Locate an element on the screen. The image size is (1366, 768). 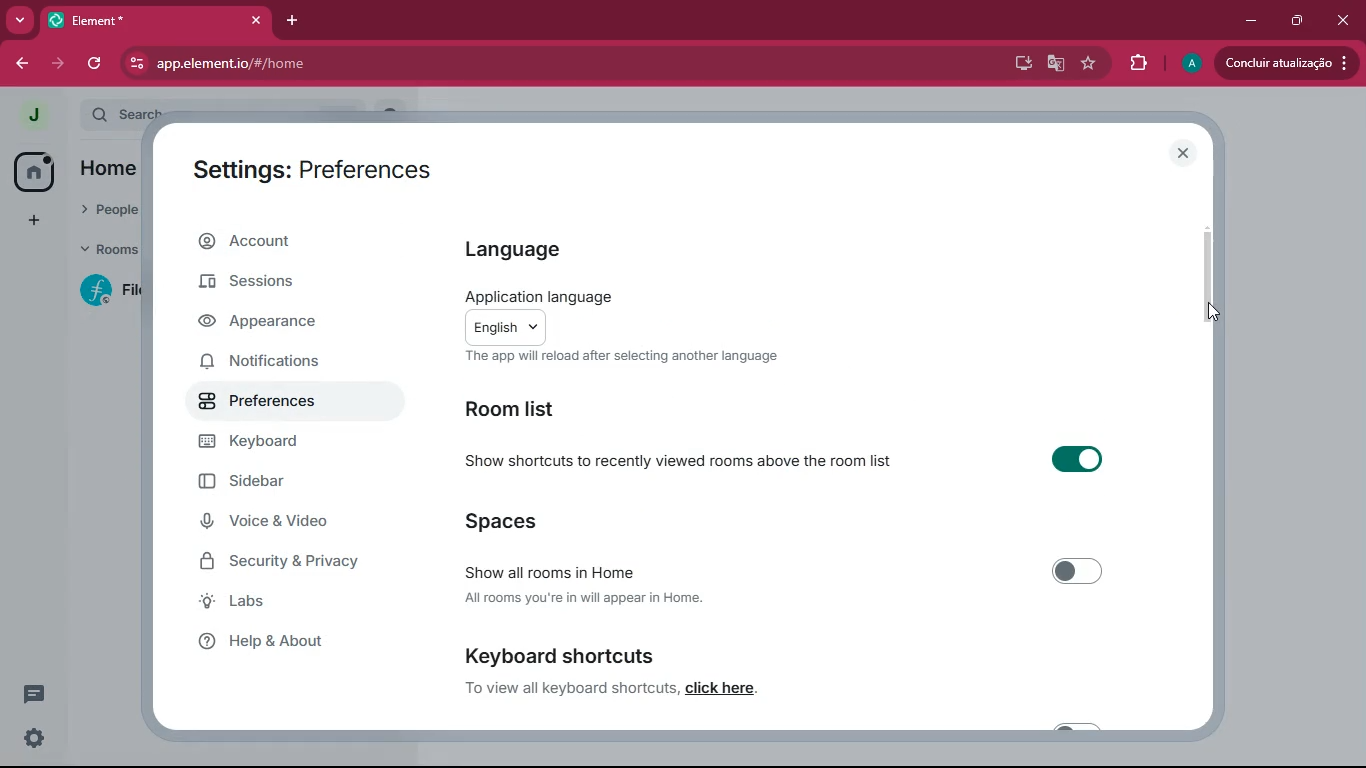
conversations is located at coordinates (31, 694).